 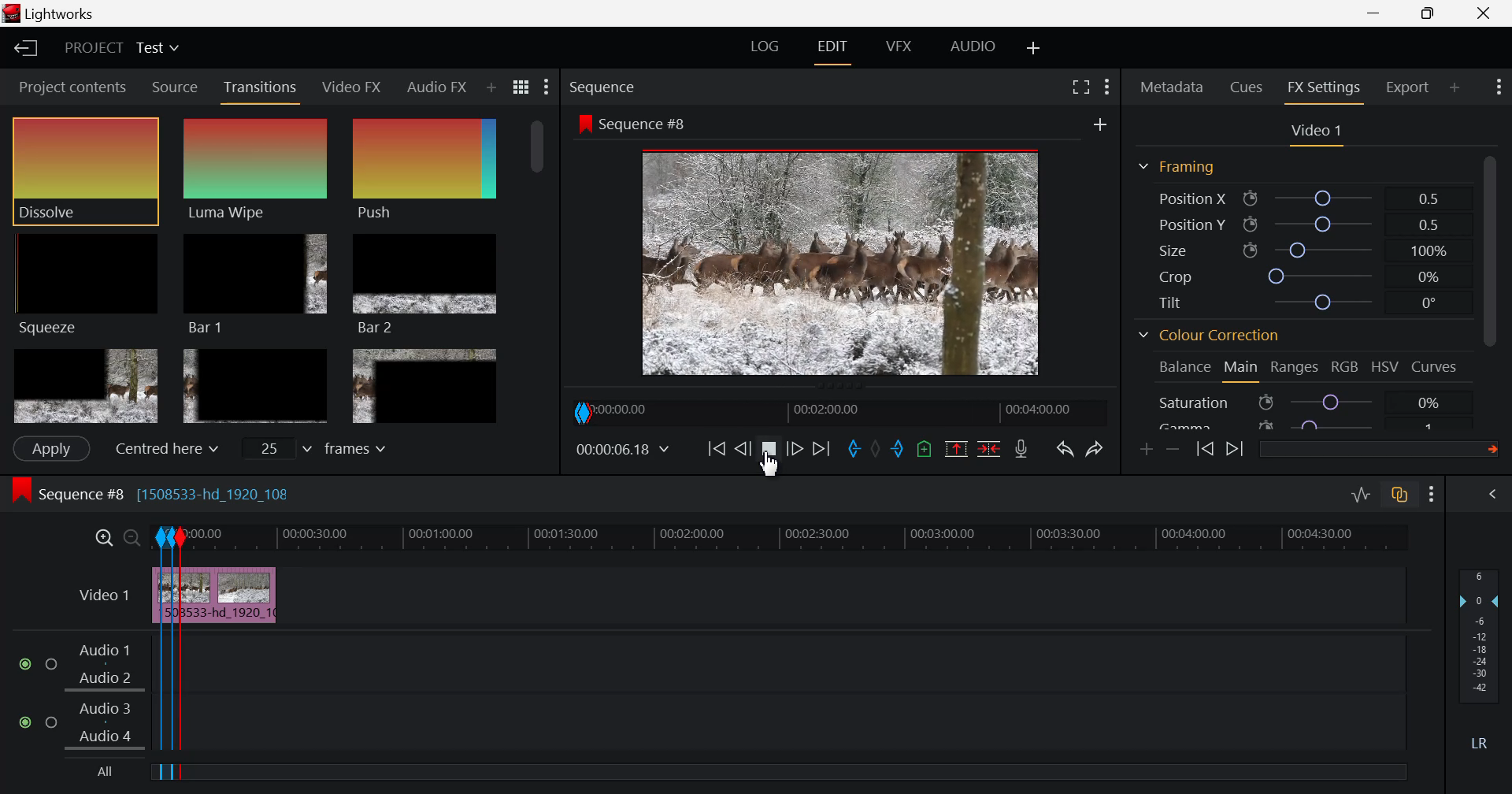 I want to click on Video FX, so click(x=353, y=86).